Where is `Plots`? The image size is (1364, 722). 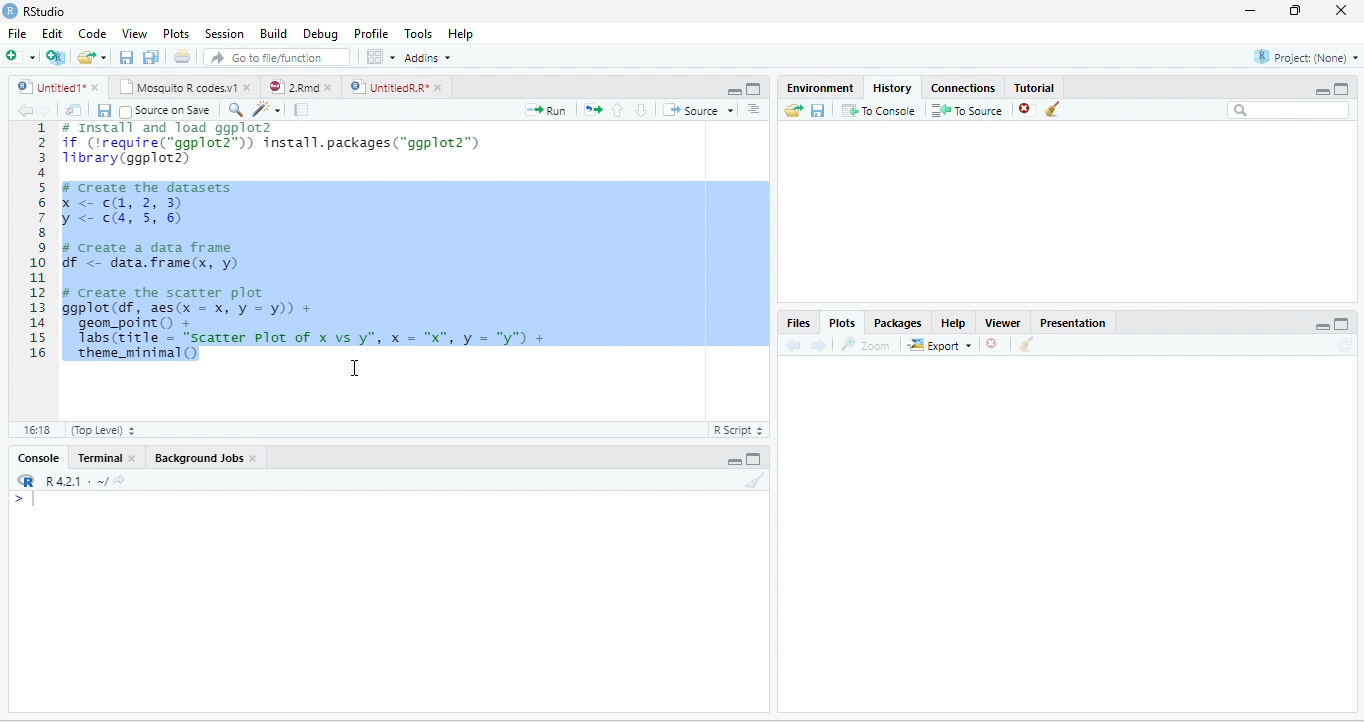
Plots is located at coordinates (842, 321).